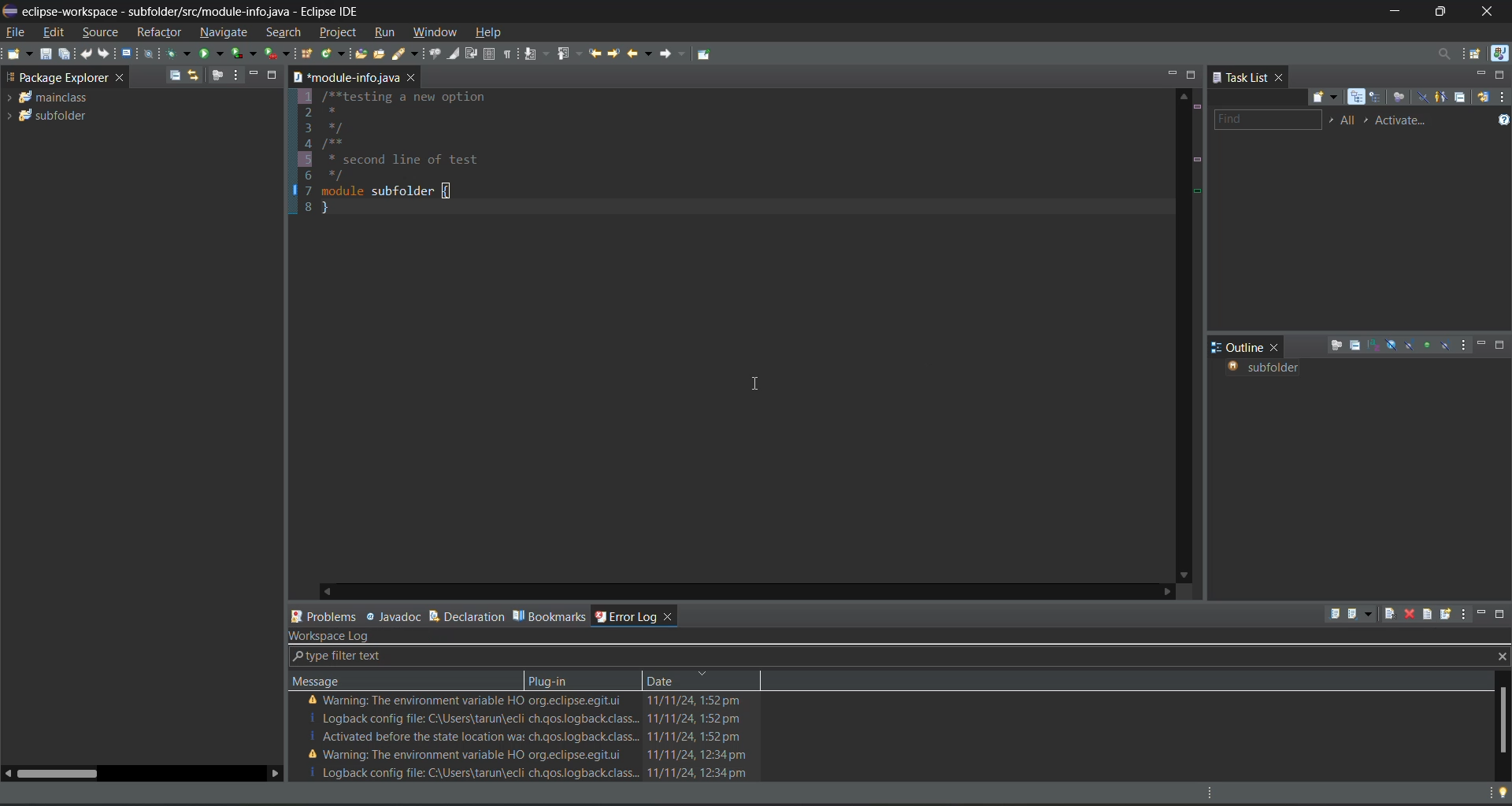 Image resolution: width=1512 pixels, height=806 pixels. Describe the element at coordinates (287, 33) in the screenshot. I see `search` at that location.